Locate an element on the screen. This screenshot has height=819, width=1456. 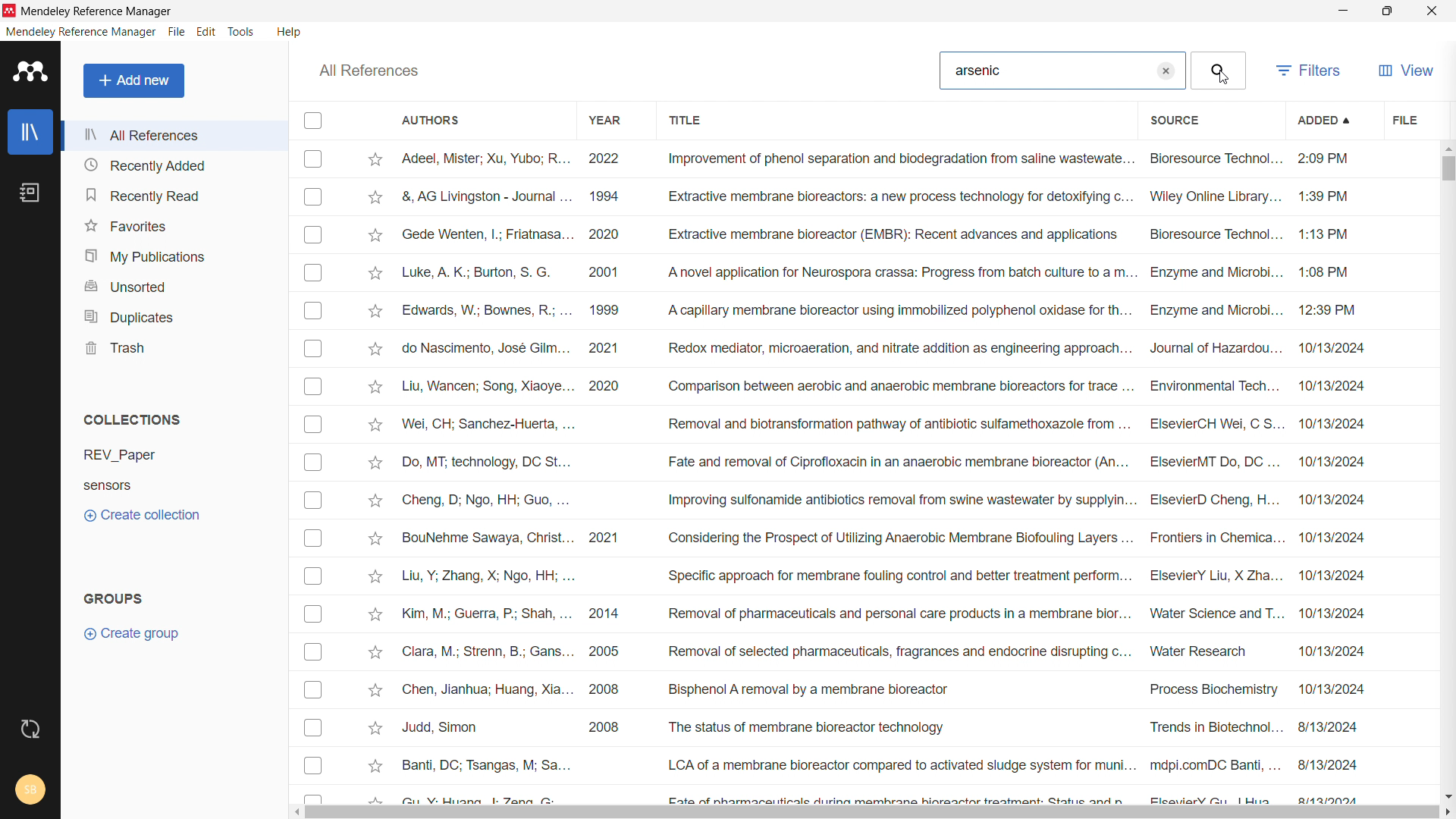
Banti, DC; Tsangas, M; Sa... LCA of a membrane bioreactor compared to activated sludge system for muni... mdpi.comDC Banti, ... 8/13/2024 is located at coordinates (881, 761).